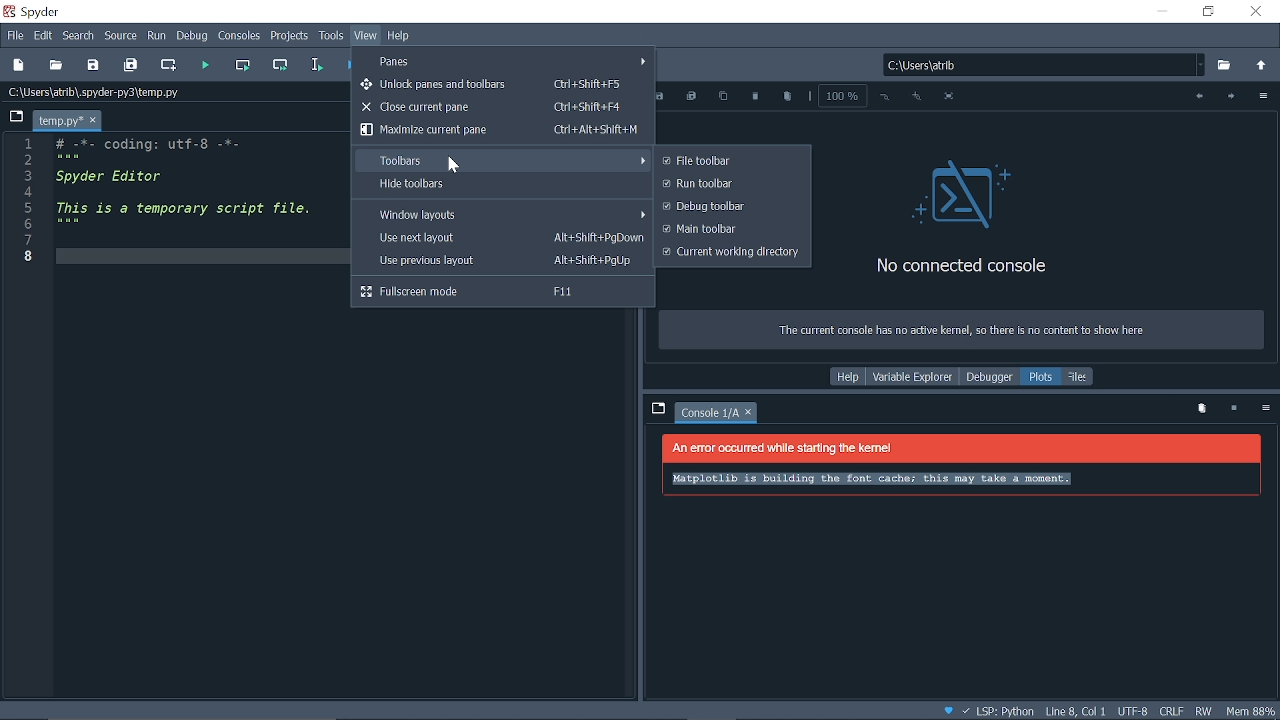  Describe the element at coordinates (1134, 712) in the screenshot. I see `Encoding` at that location.